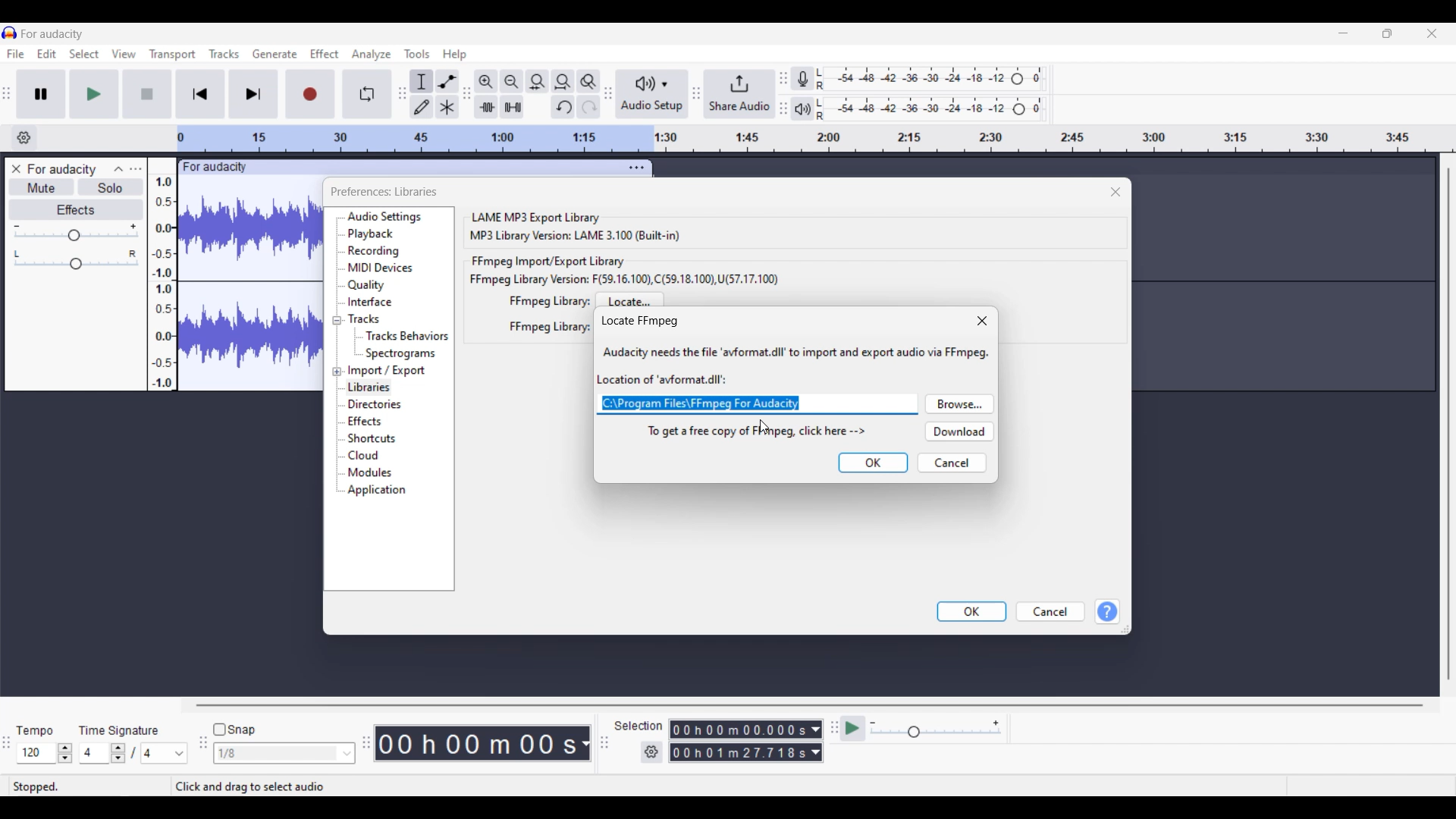  I want to click on Zoom in, so click(486, 82).